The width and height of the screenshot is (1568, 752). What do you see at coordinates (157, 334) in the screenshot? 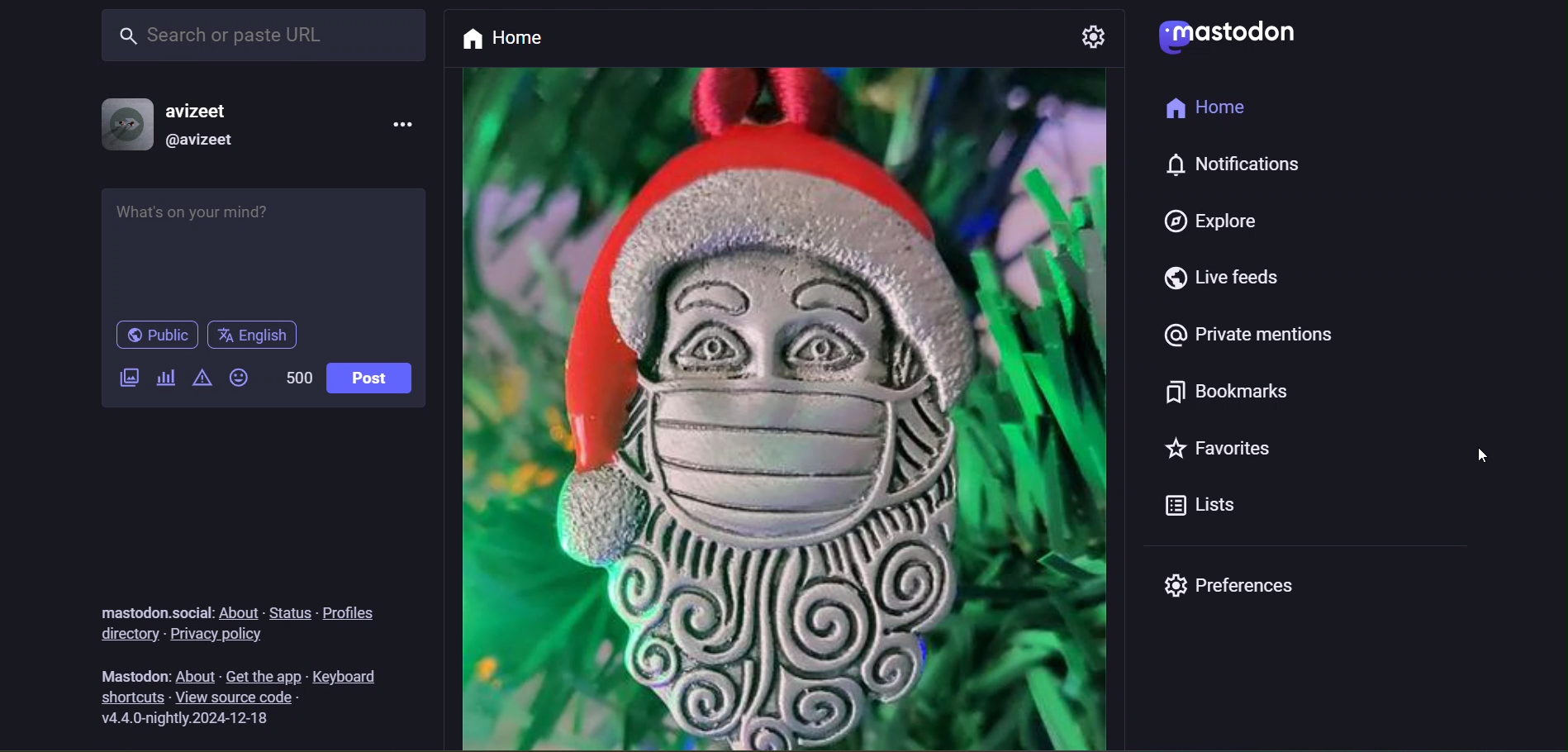
I see `public ` at bounding box center [157, 334].